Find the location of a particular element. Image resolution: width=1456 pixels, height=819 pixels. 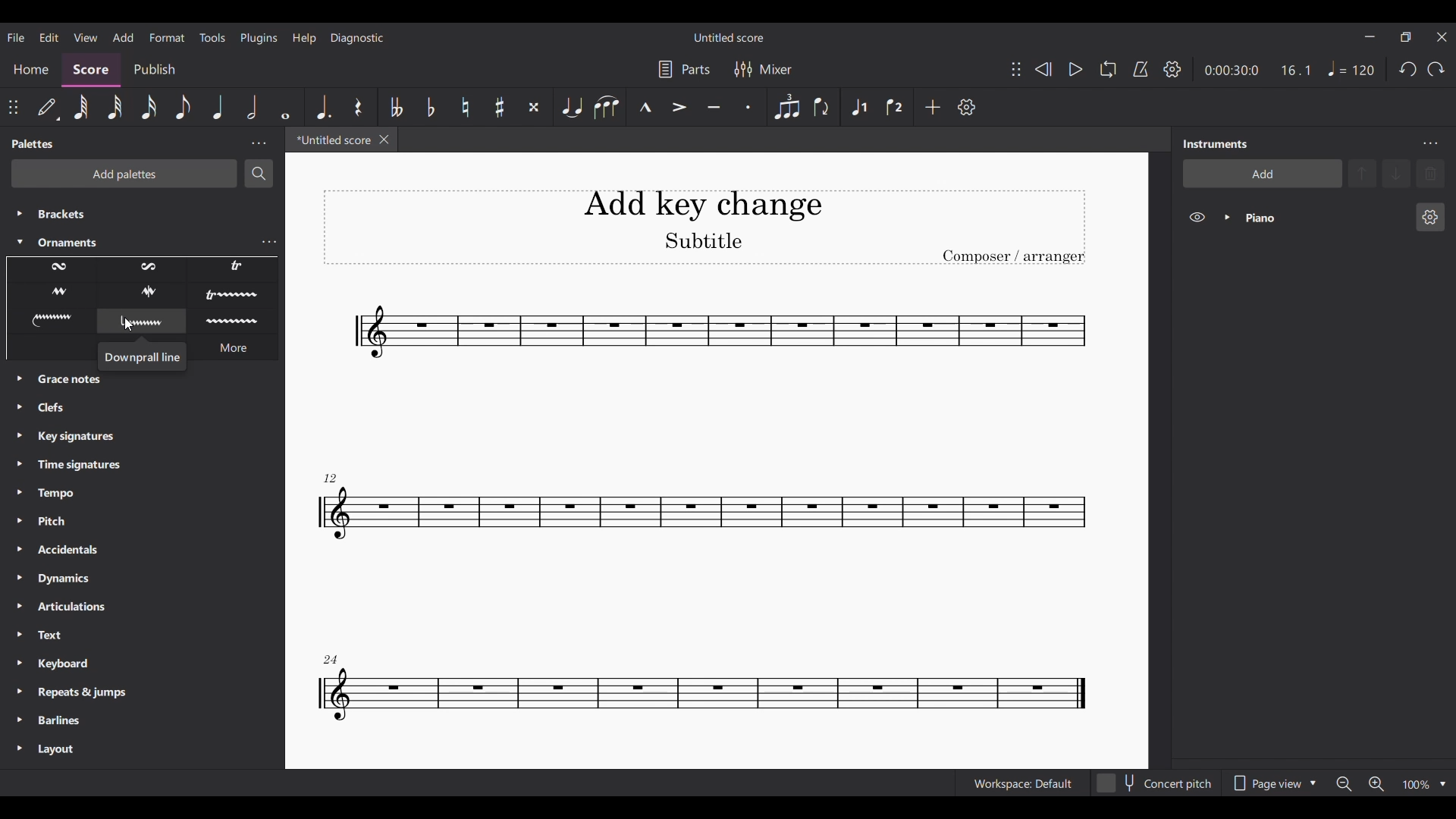

Close interface is located at coordinates (1442, 38).